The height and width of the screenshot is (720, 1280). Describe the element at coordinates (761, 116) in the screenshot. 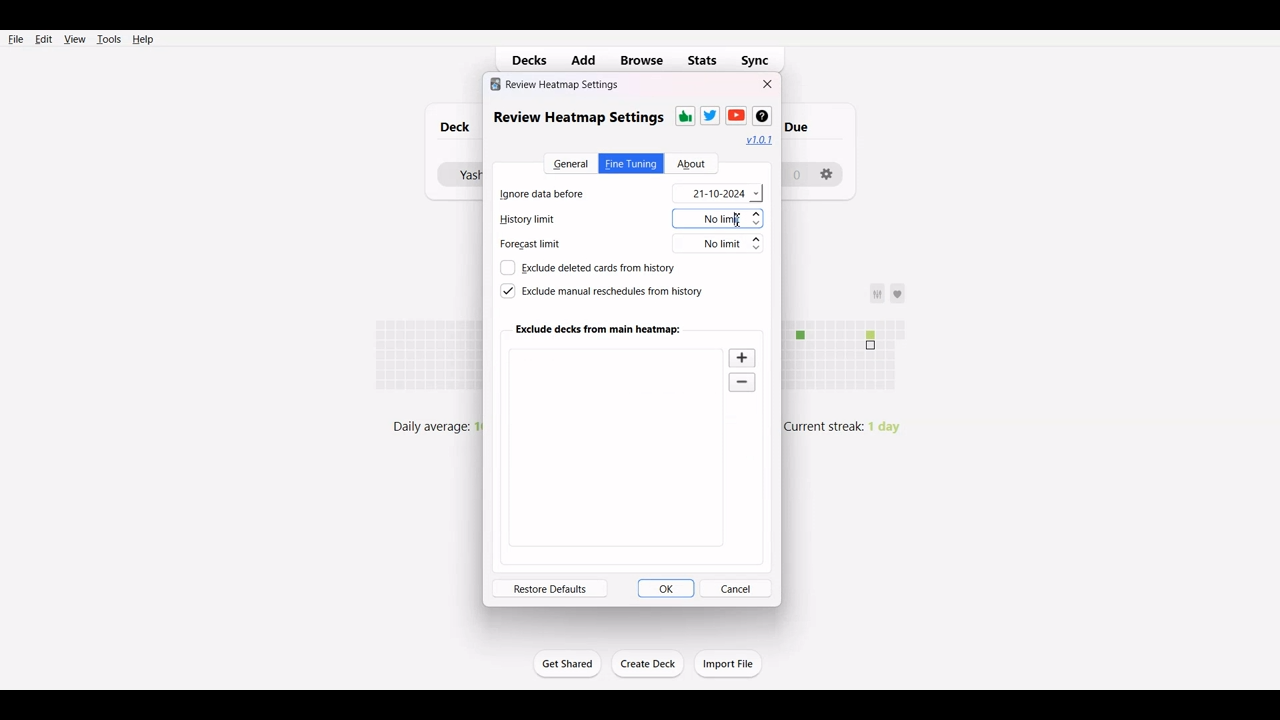

I see `Wikipedia` at that location.